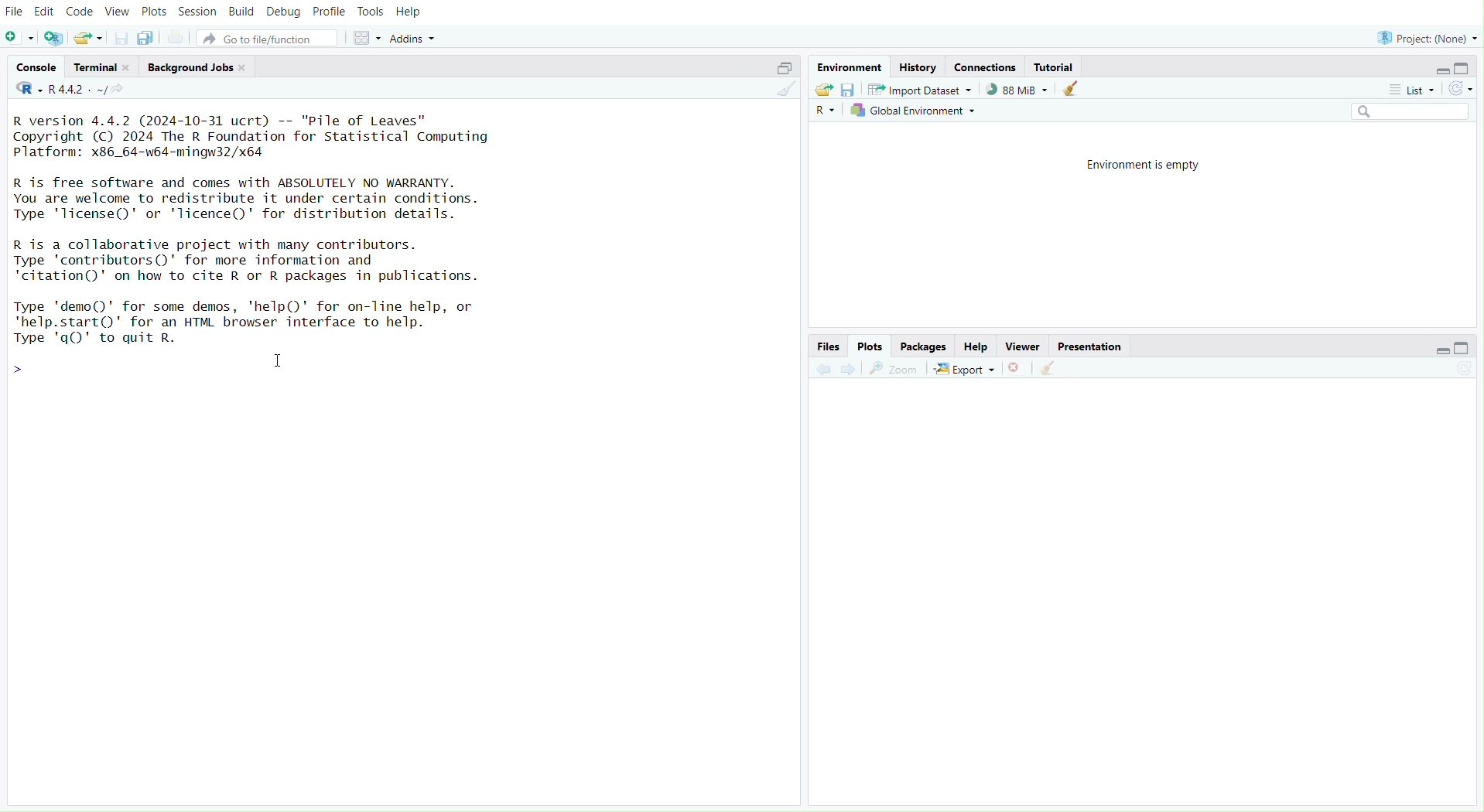 This screenshot has height=812, width=1484. Describe the element at coordinates (1438, 350) in the screenshot. I see `Minimize` at that location.